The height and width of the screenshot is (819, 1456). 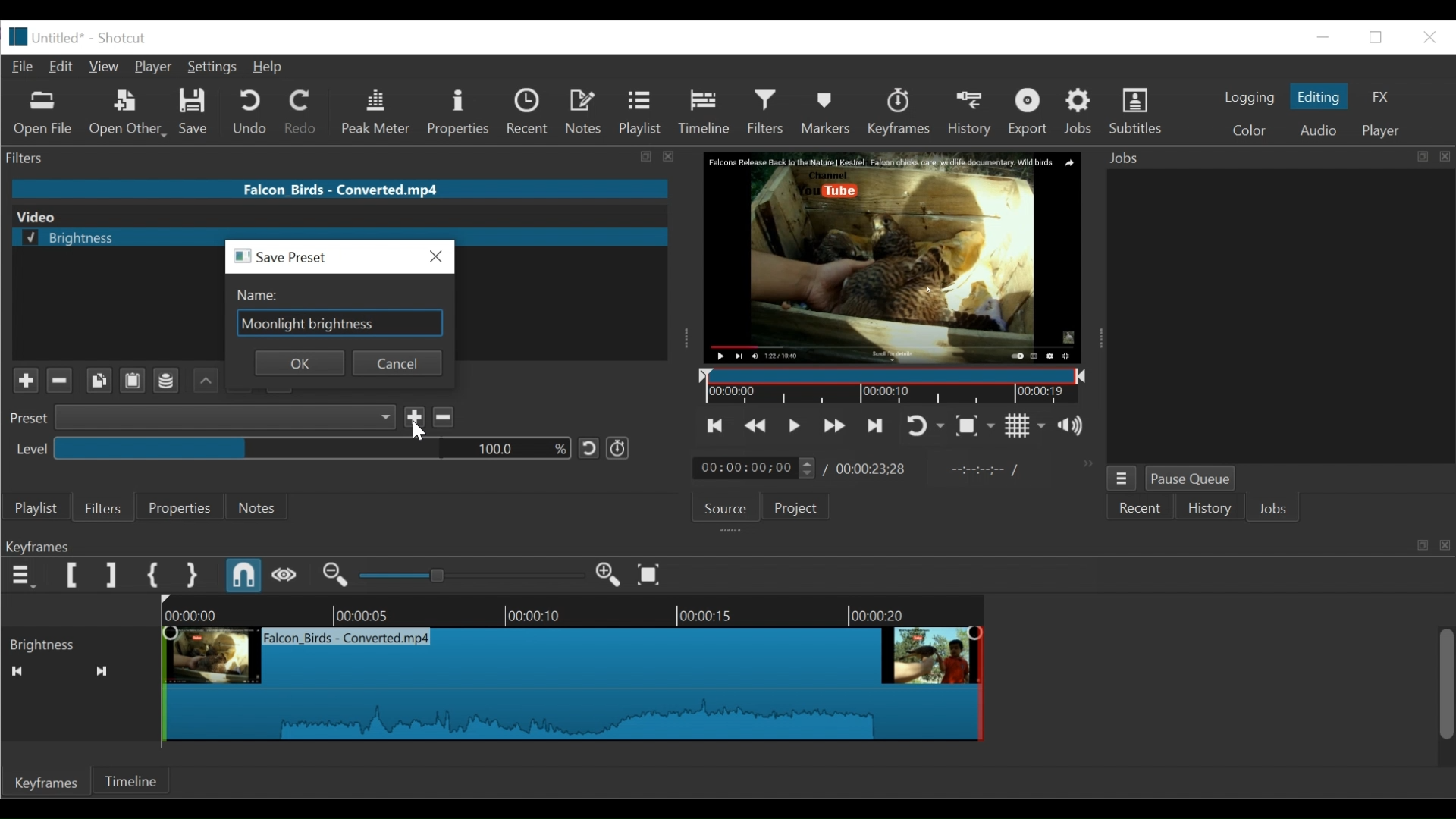 I want to click on Current duration, so click(x=757, y=468).